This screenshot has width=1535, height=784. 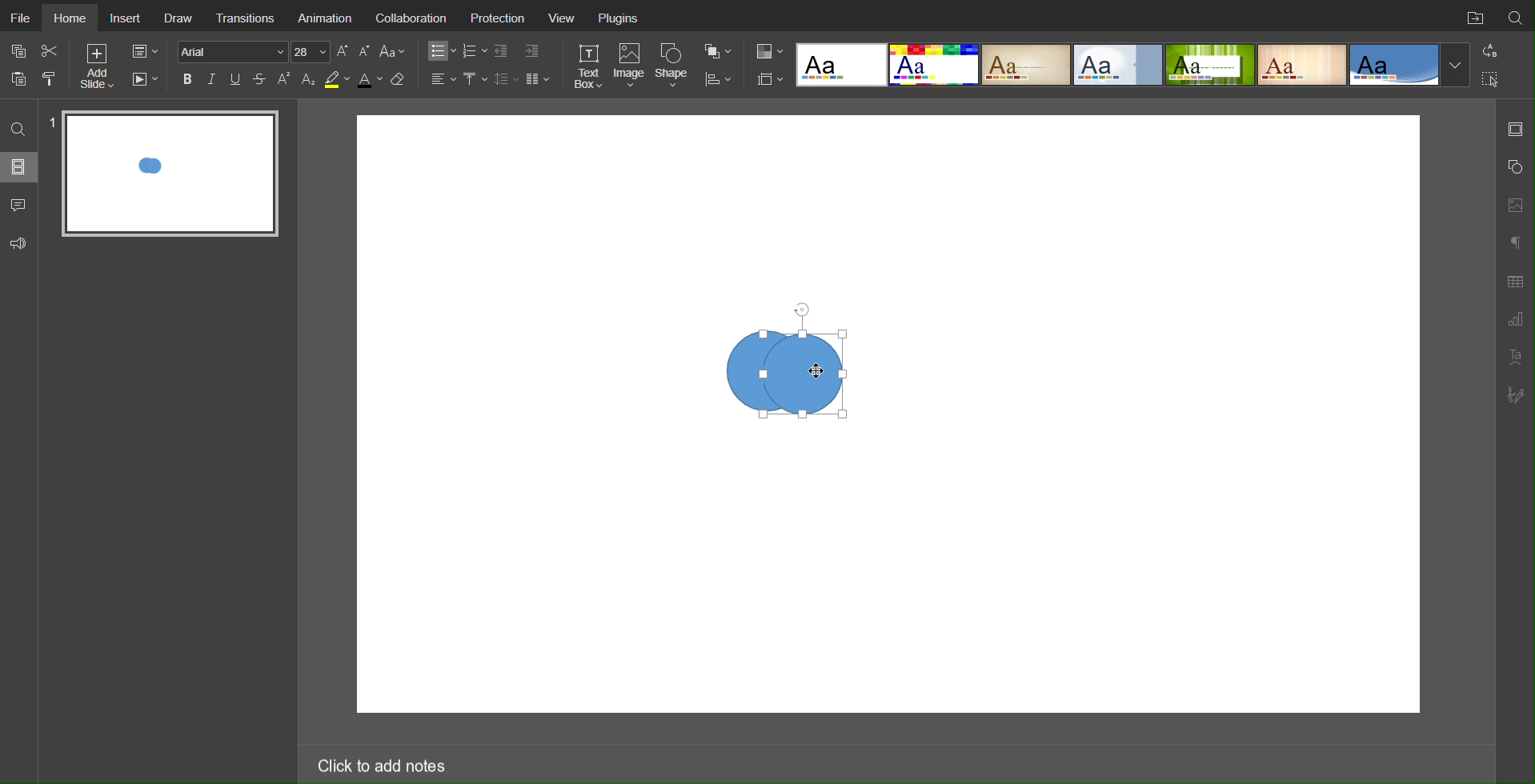 I want to click on Click to add notes, so click(x=380, y=762).